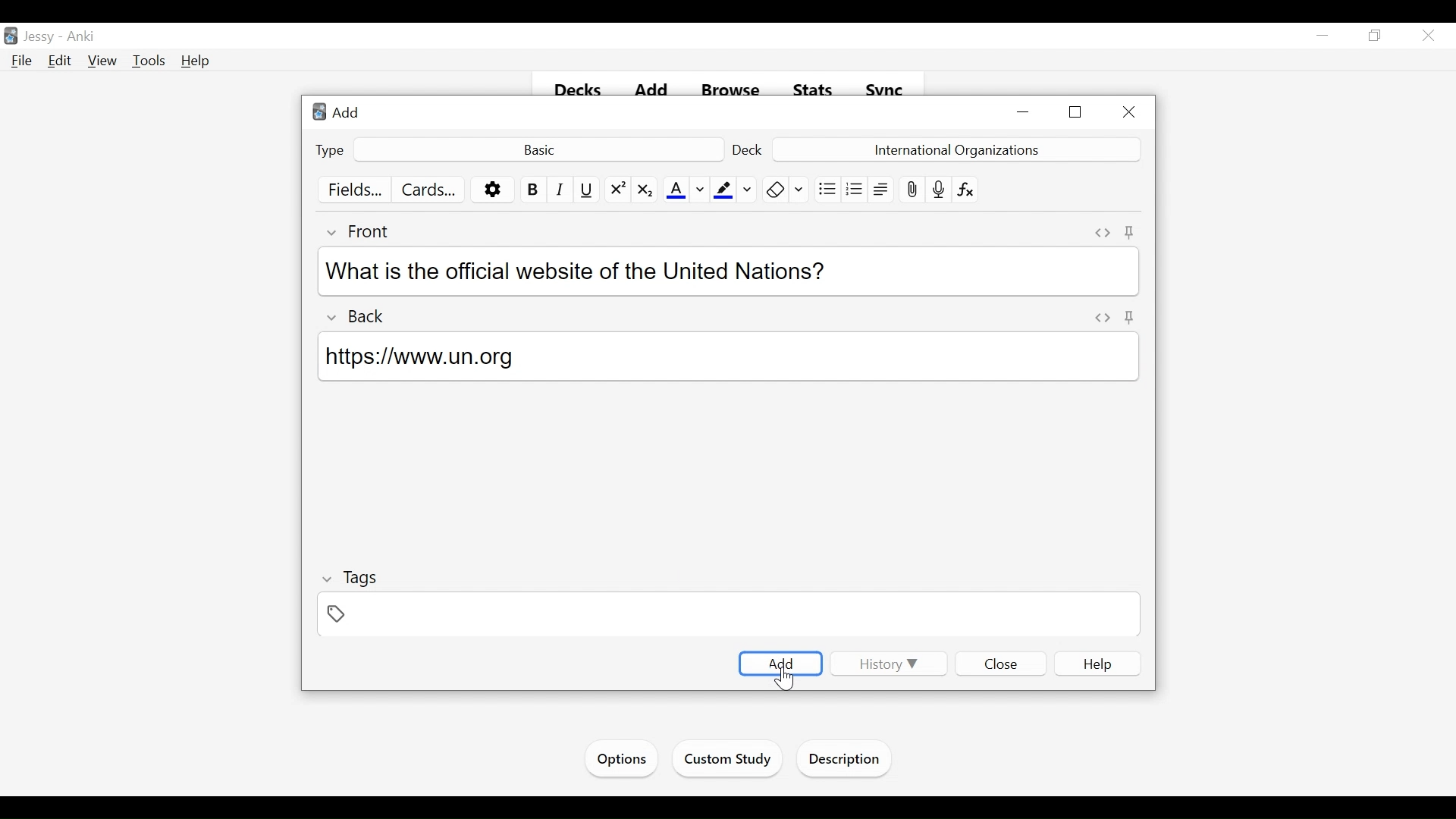 This screenshot has height=819, width=1456. Describe the element at coordinates (1000, 664) in the screenshot. I see `Close` at that location.